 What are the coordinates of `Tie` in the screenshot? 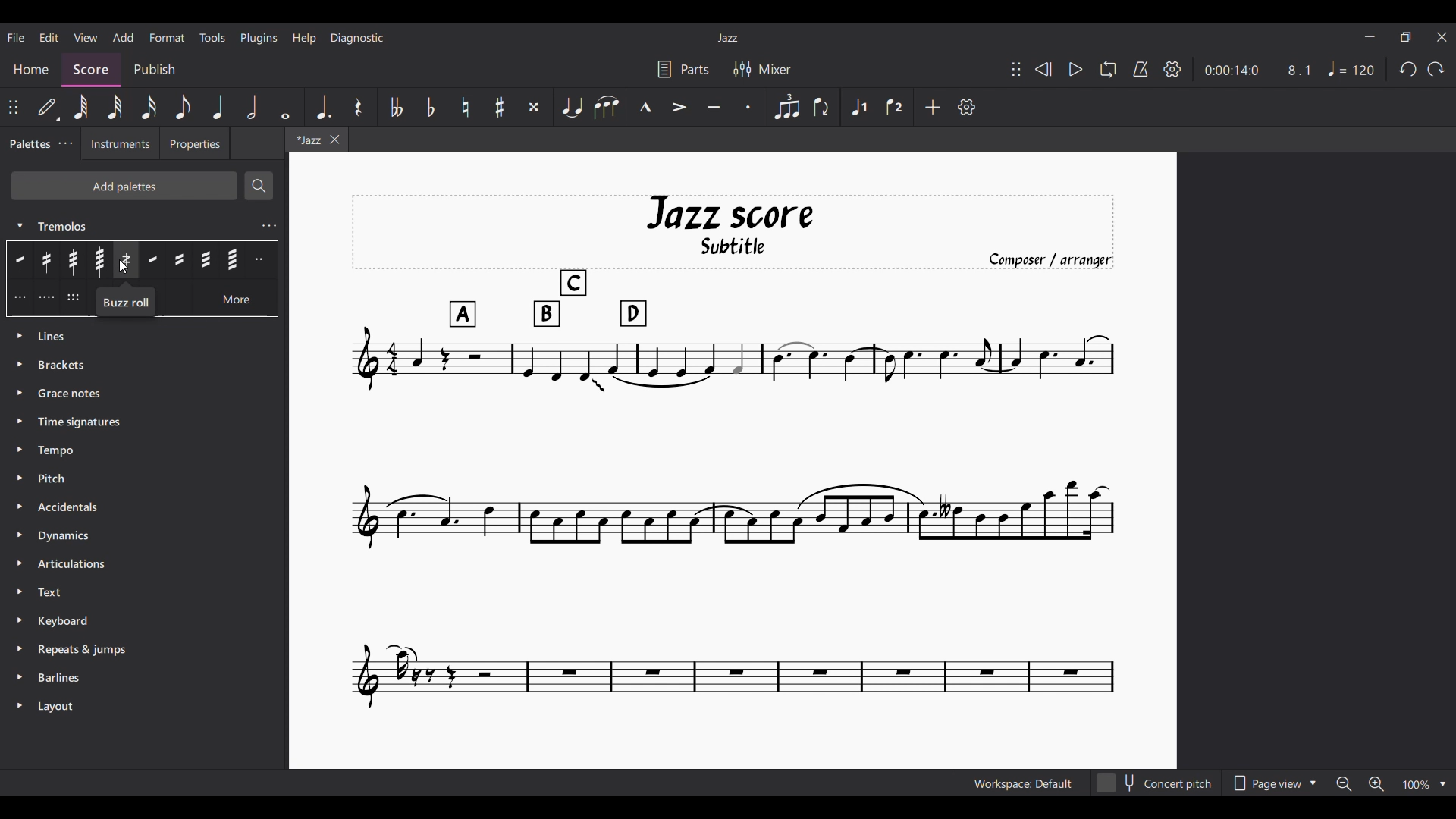 It's located at (572, 106).